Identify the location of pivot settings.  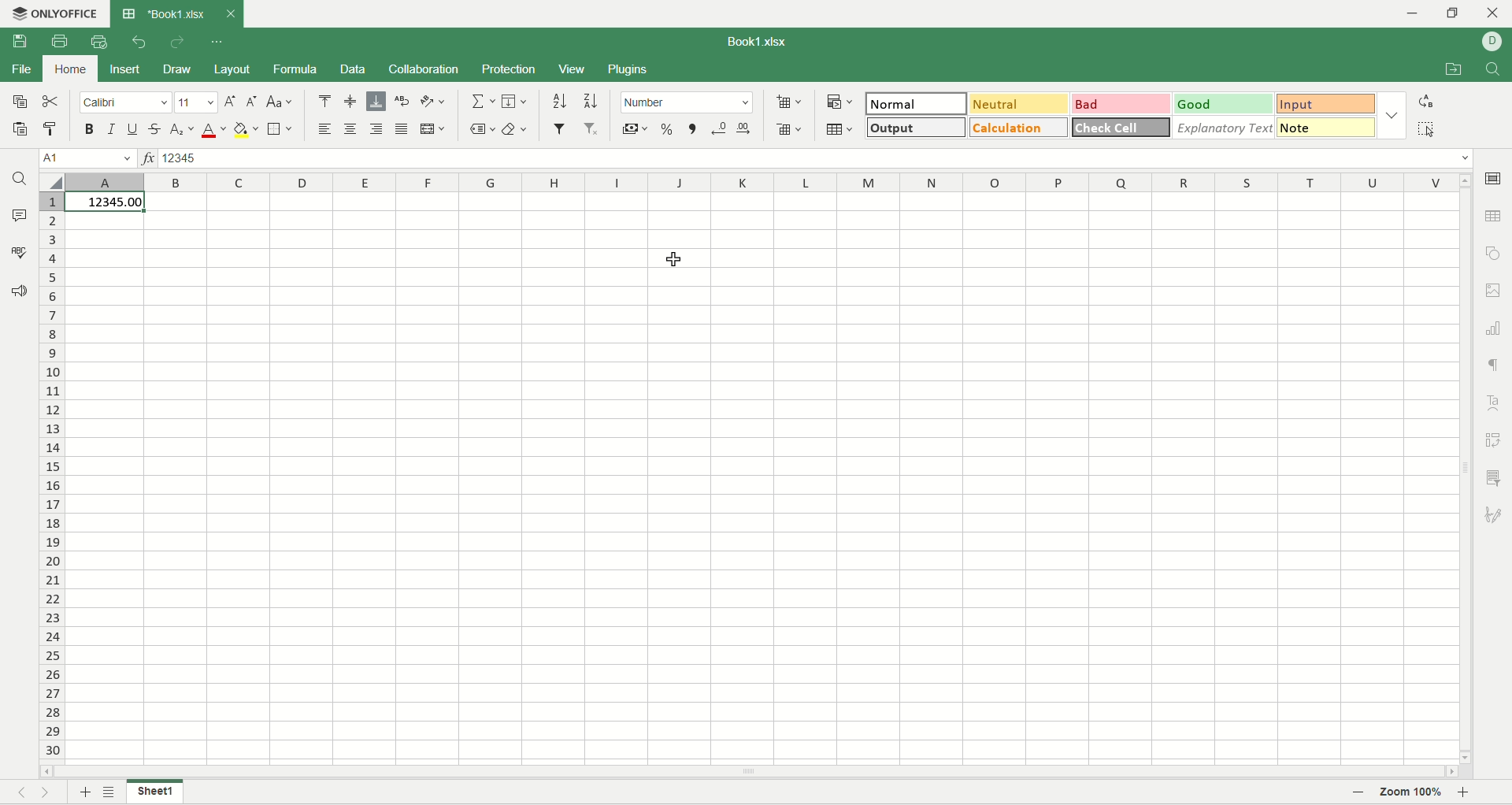
(1493, 441).